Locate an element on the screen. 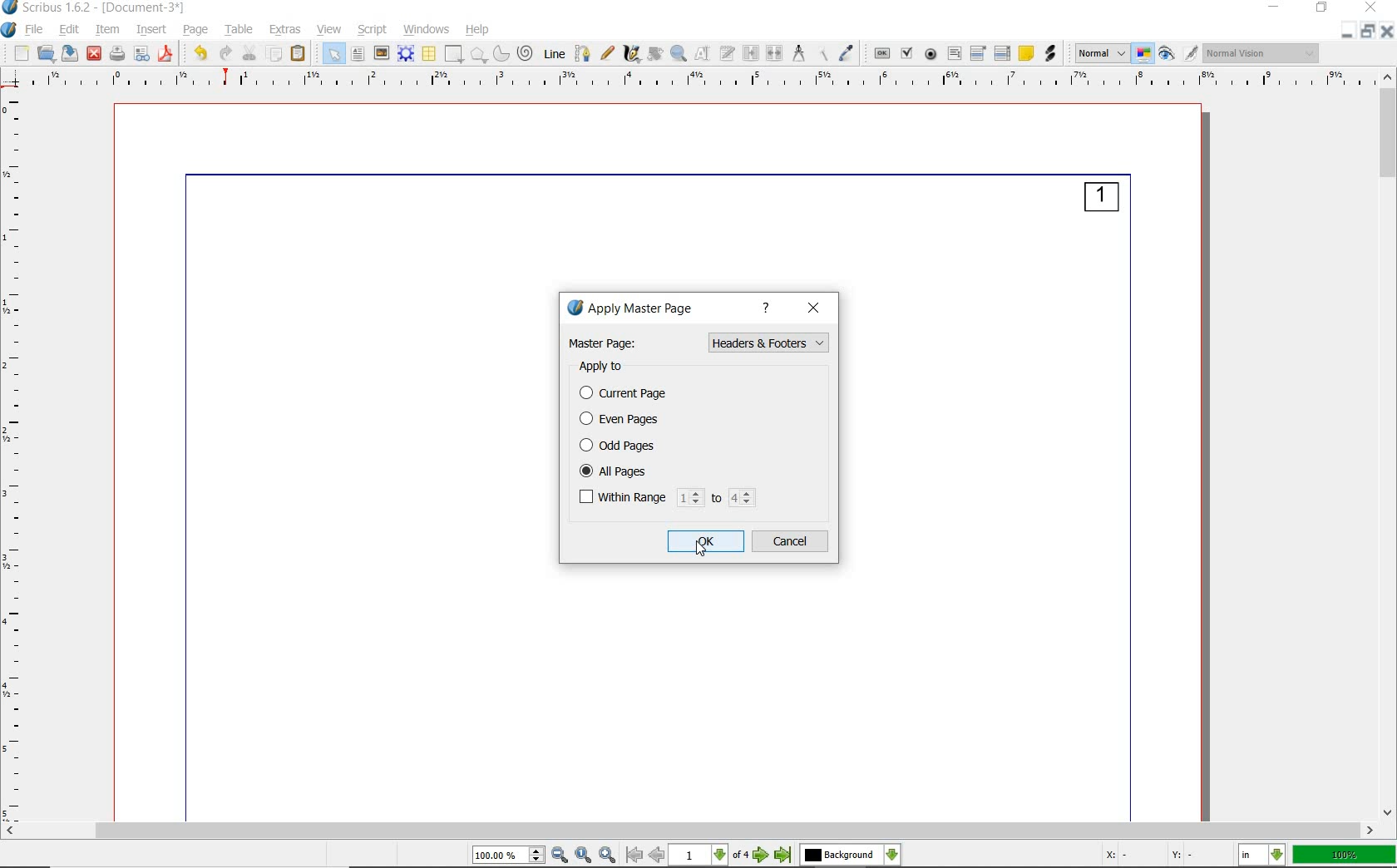  Header & Footers is located at coordinates (772, 359).